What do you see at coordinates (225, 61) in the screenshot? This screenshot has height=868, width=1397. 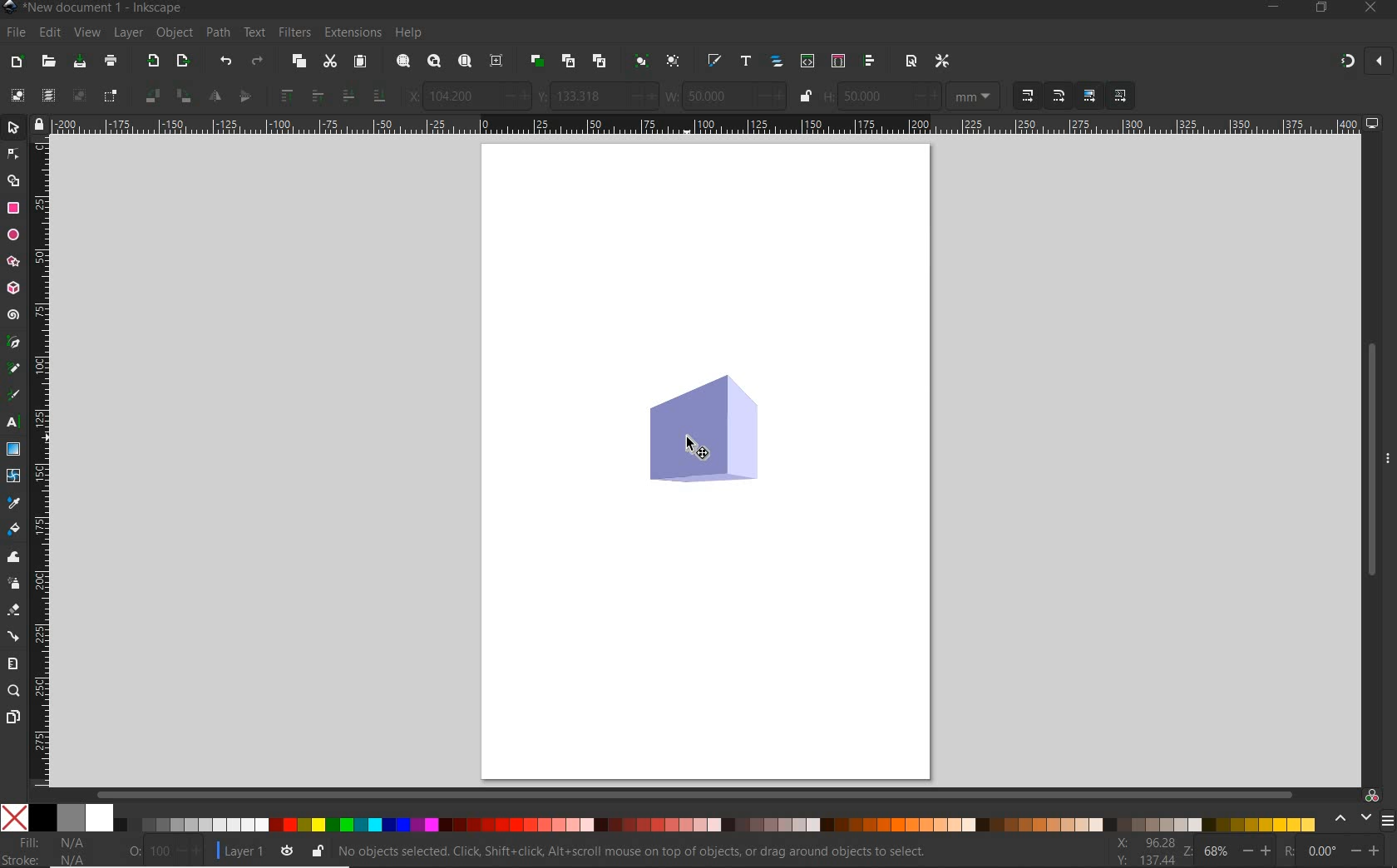 I see `undo` at bounding box center [225, 61].